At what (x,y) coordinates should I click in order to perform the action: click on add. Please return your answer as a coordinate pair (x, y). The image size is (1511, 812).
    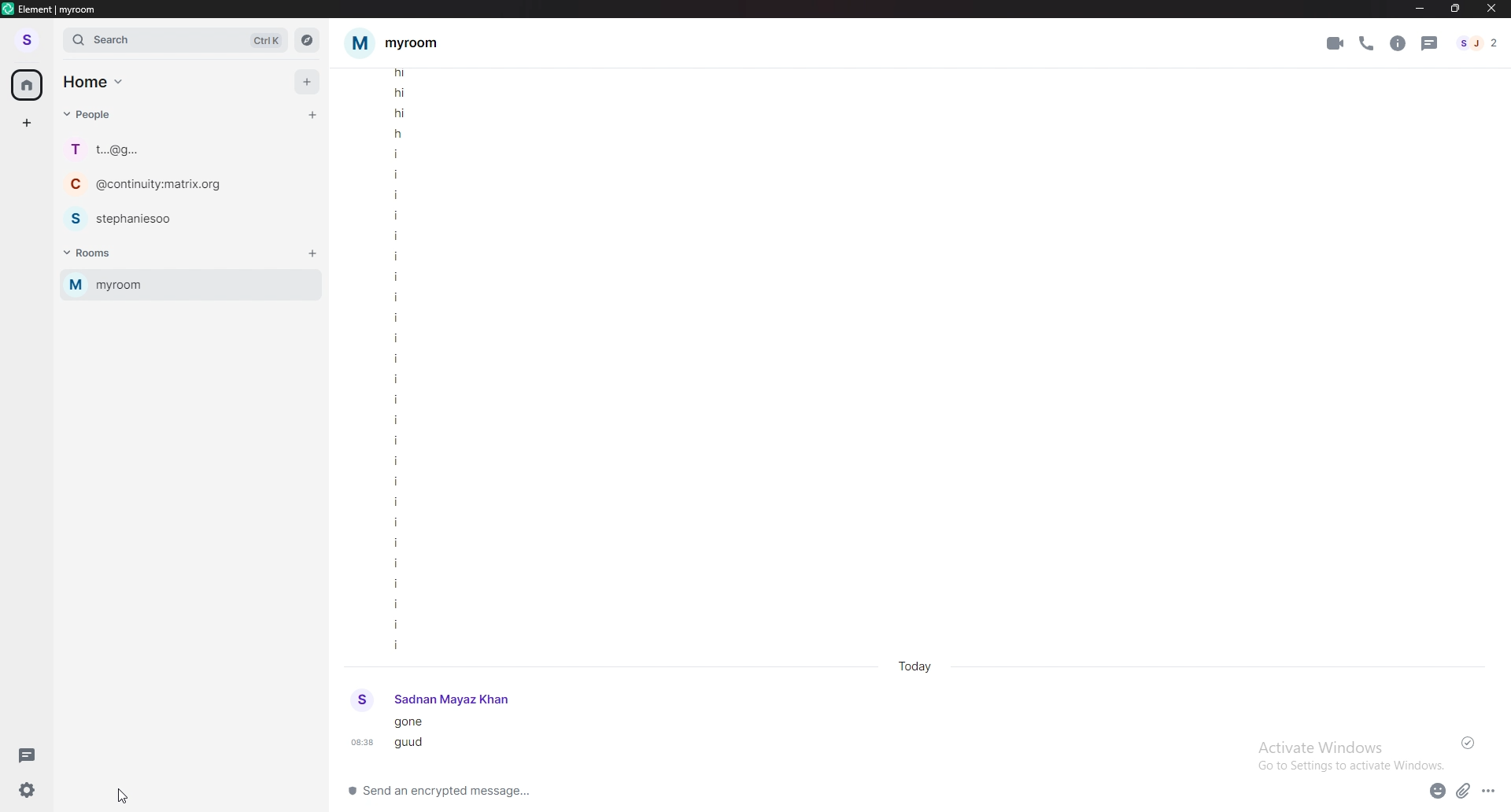
    Looking at the image, I should click on (308, 81).